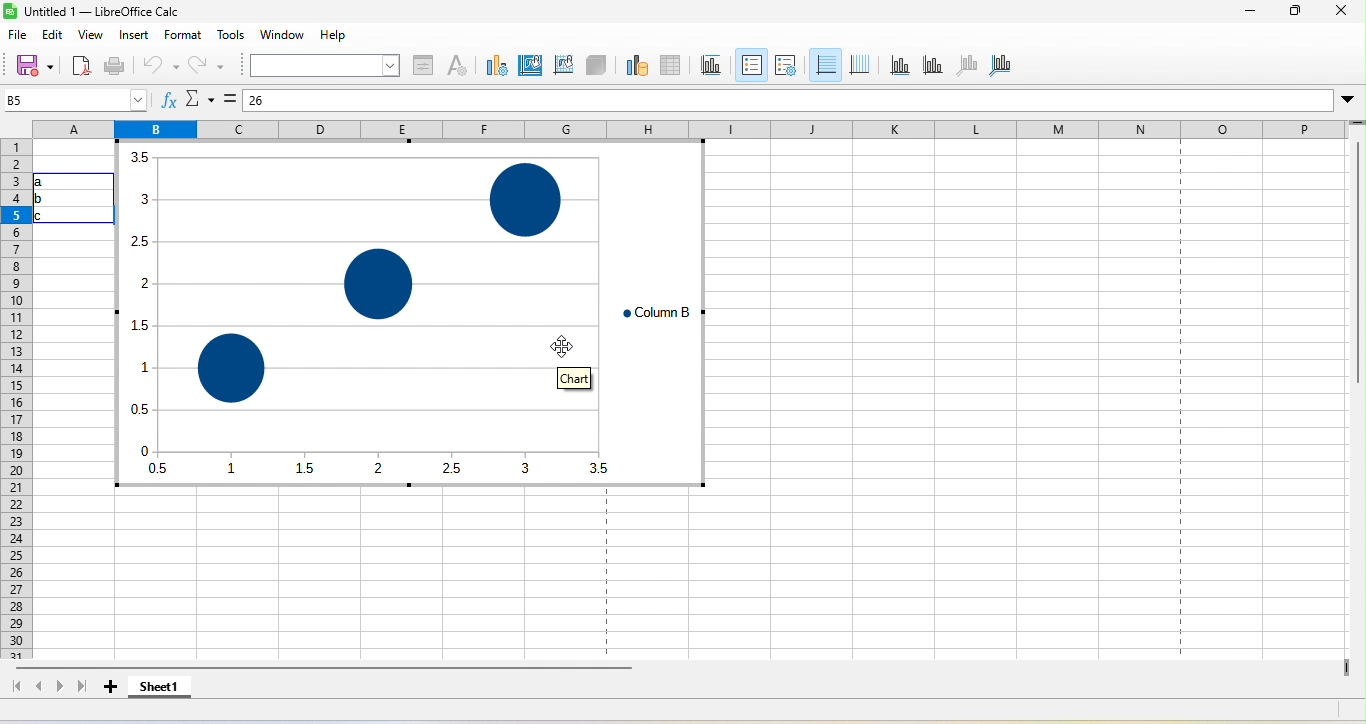 The width and height of the screenshot is (1366, 724). I want to click on horizontal scroll bar, so click(333, 670).